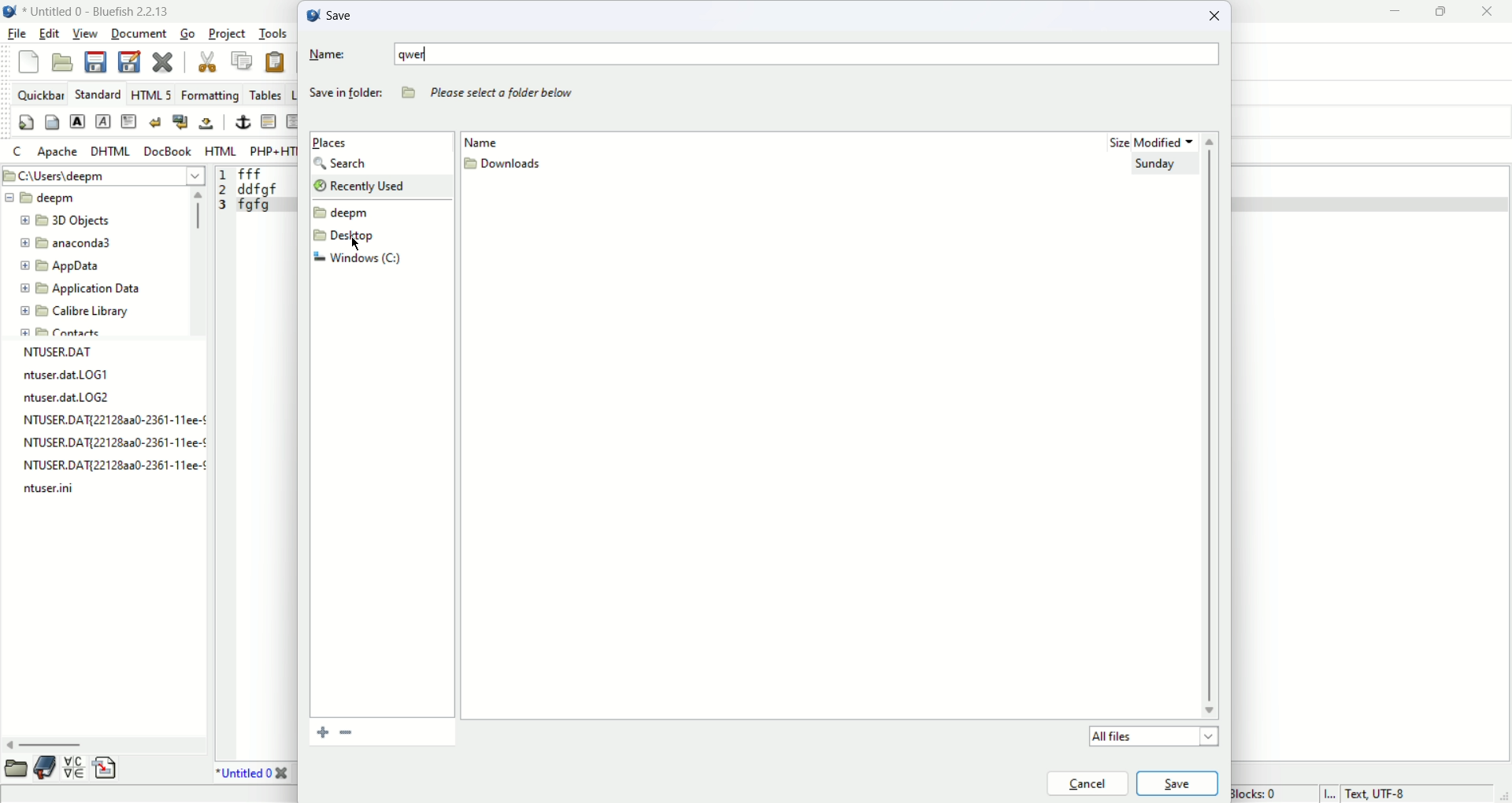 This screenshot has height=803, width=1512. I want to click on body, so click(51, 121).